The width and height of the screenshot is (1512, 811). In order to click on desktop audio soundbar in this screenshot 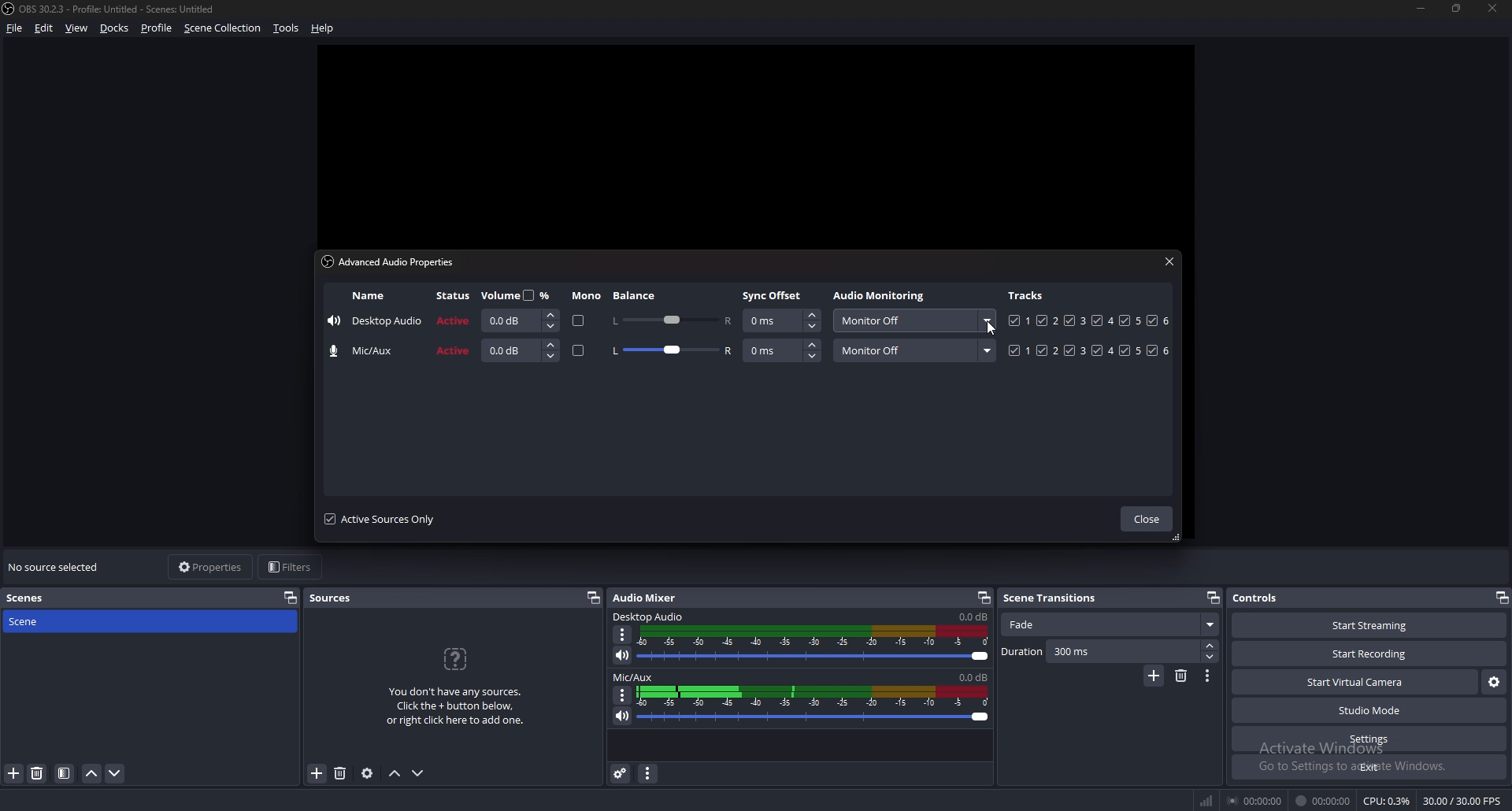, I will do `click(817, 644)`.